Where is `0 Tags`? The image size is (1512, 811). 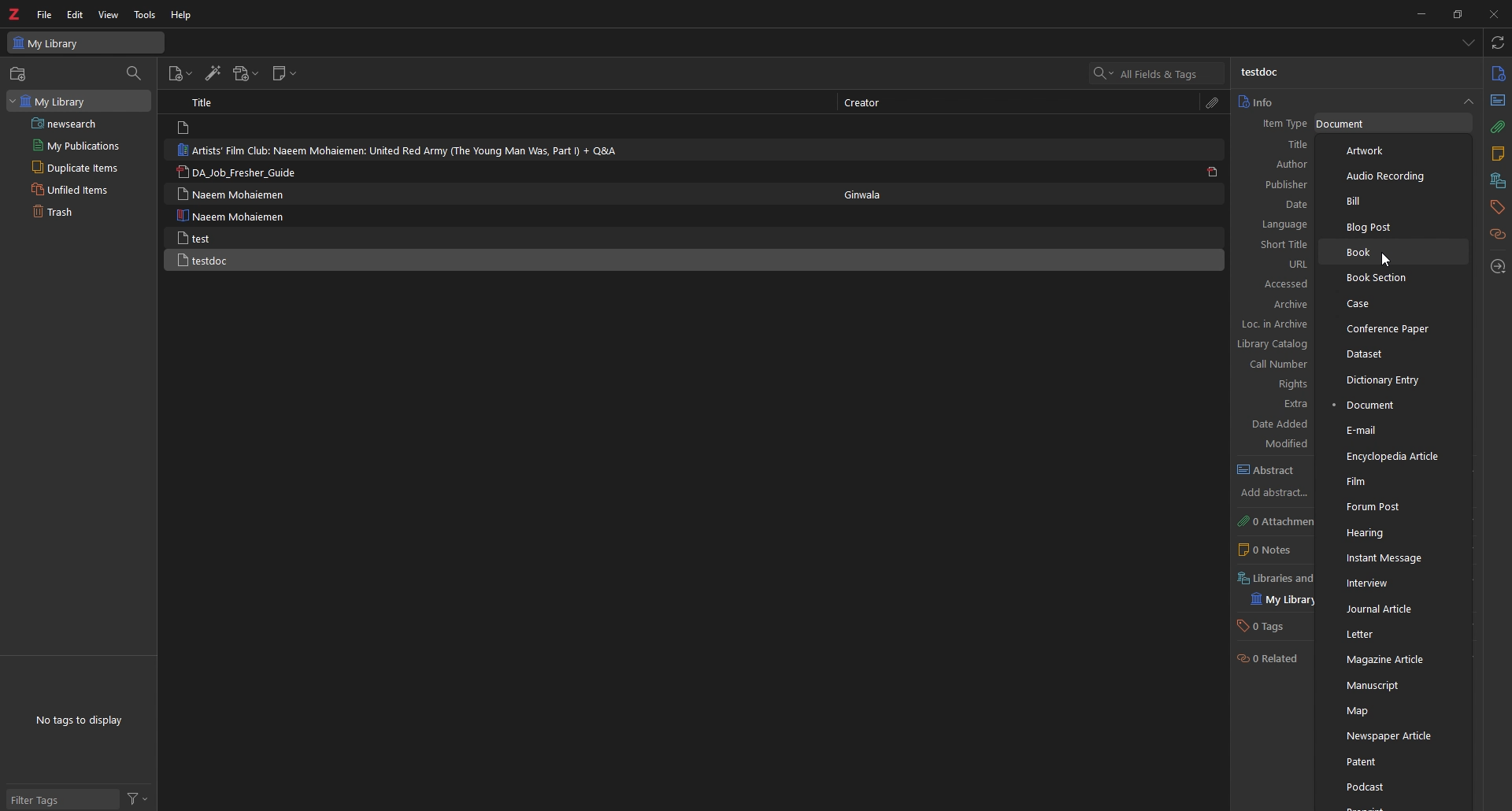 0 Tags is located at coordinates (1270, 627).